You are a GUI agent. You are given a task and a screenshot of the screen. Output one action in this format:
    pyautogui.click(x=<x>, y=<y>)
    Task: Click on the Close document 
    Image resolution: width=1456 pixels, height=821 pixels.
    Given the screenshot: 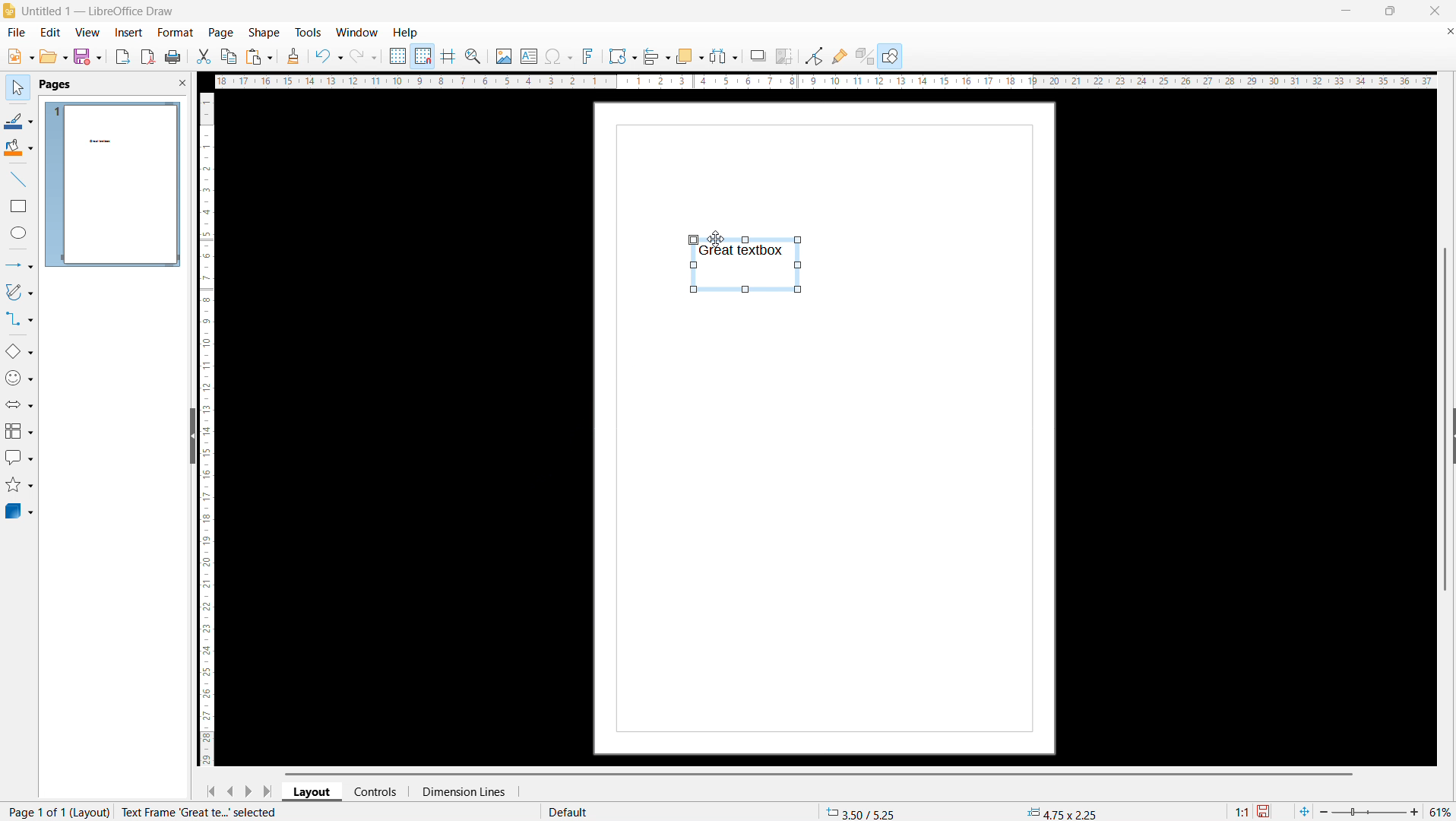 What is the action you would take?
    pyautogui.click(x=1447, y=30)
    